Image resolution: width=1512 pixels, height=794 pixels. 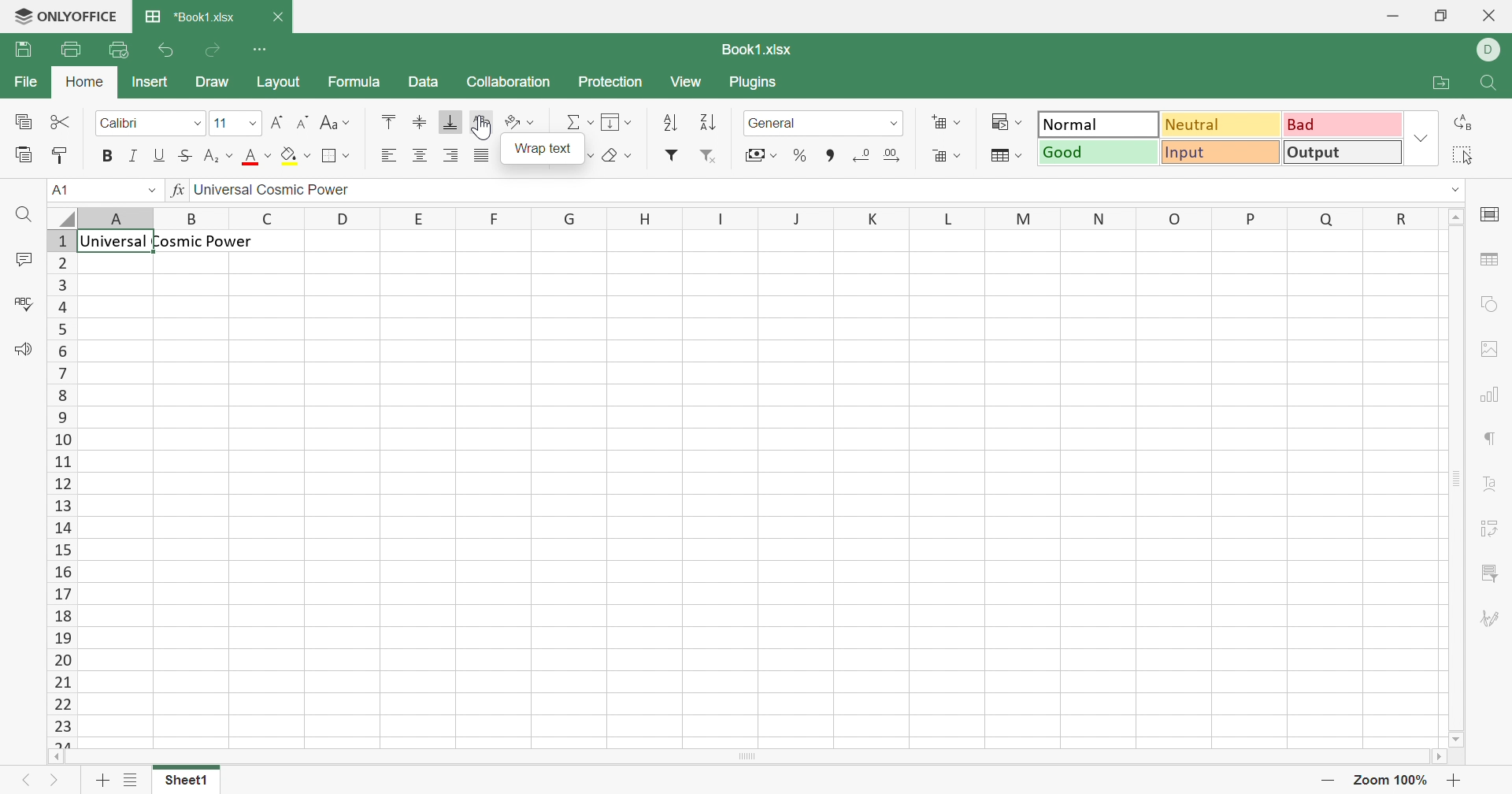 I want to click on Quick Print, so click(x=119, y=52).